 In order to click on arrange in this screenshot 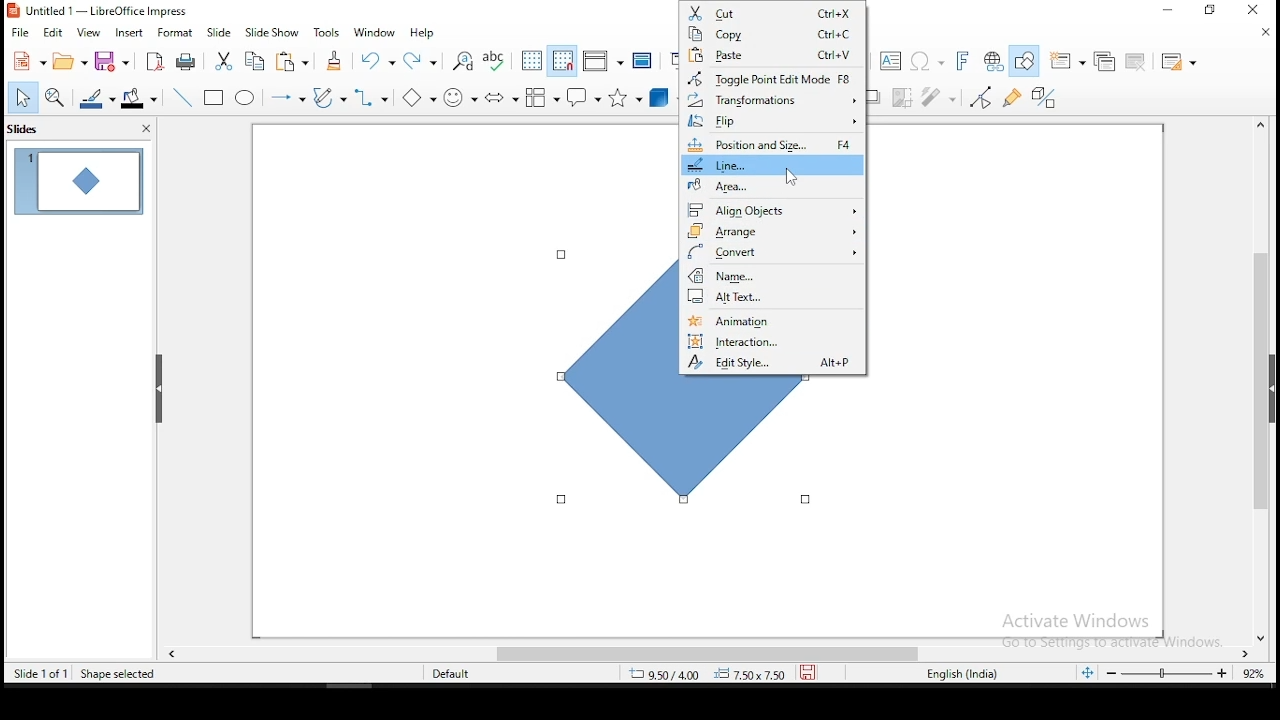, I will do `click(771, 229)`.